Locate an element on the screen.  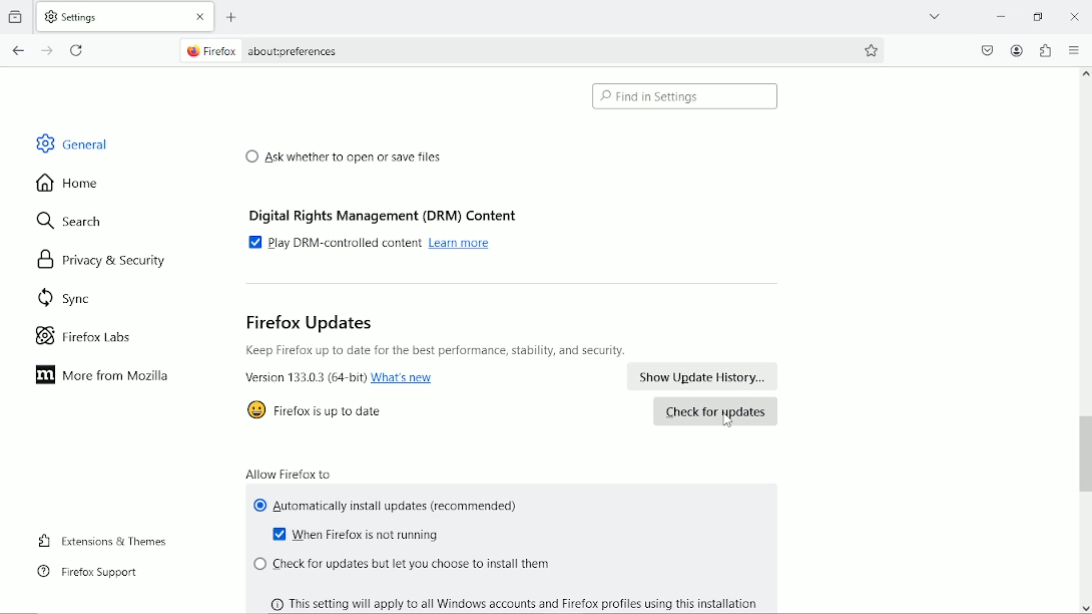
Version 133.03 (64-bit) What's new is located at coordinates (341, 379).